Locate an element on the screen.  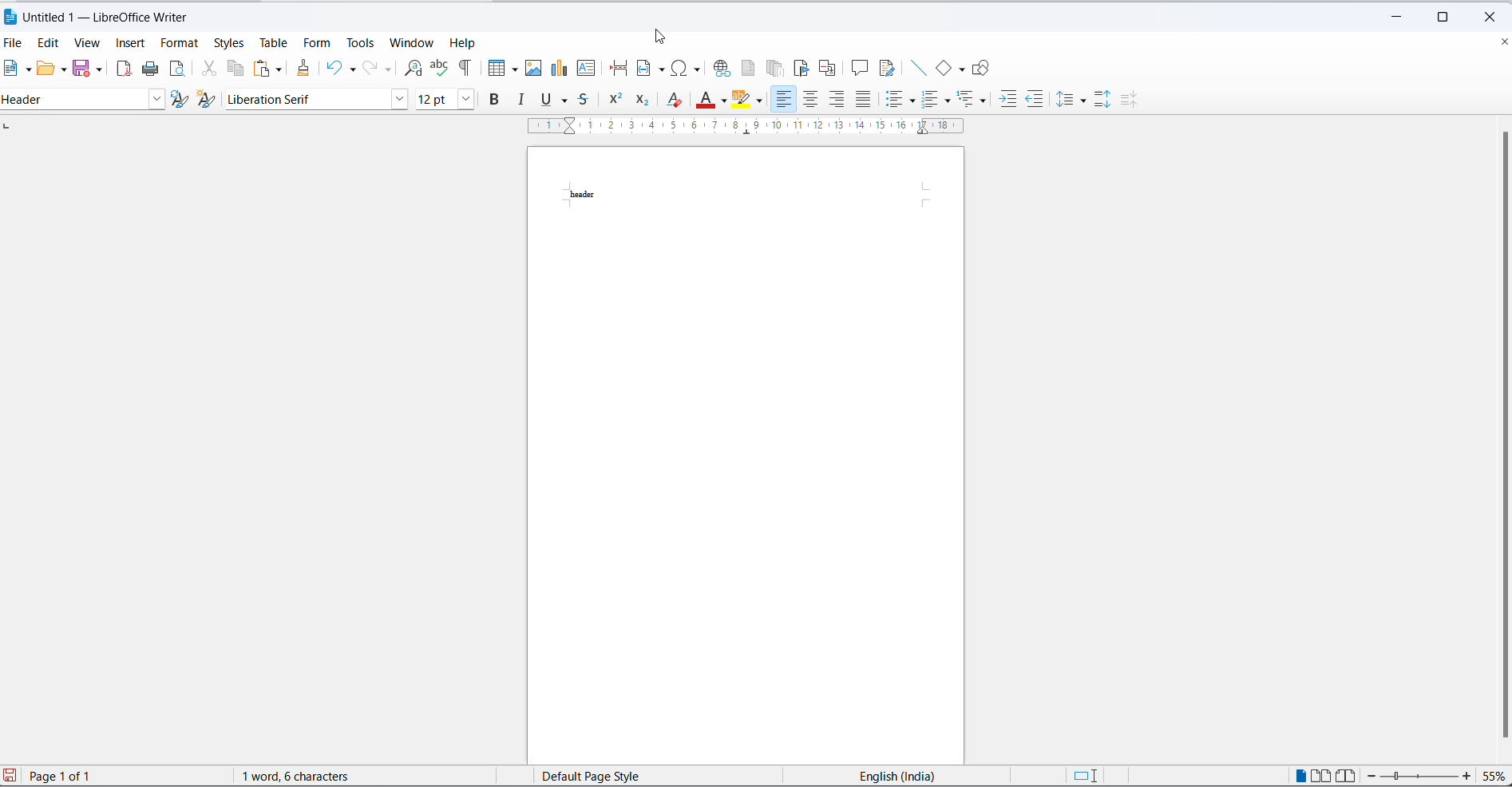
clear direct formatting is located at coordinates (675, 99).